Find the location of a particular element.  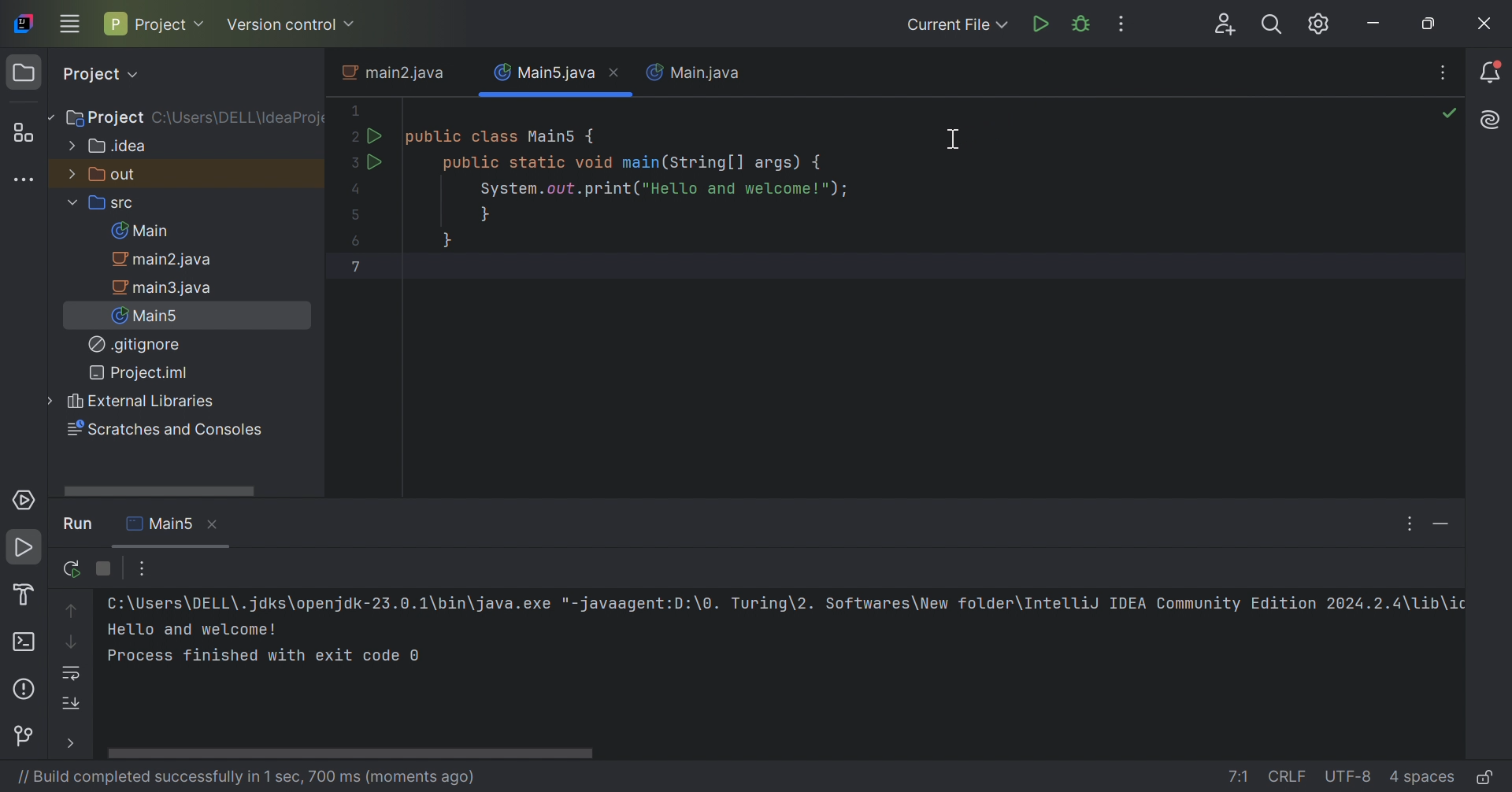

Search Everywhere is located at coordinates (1273, 24).